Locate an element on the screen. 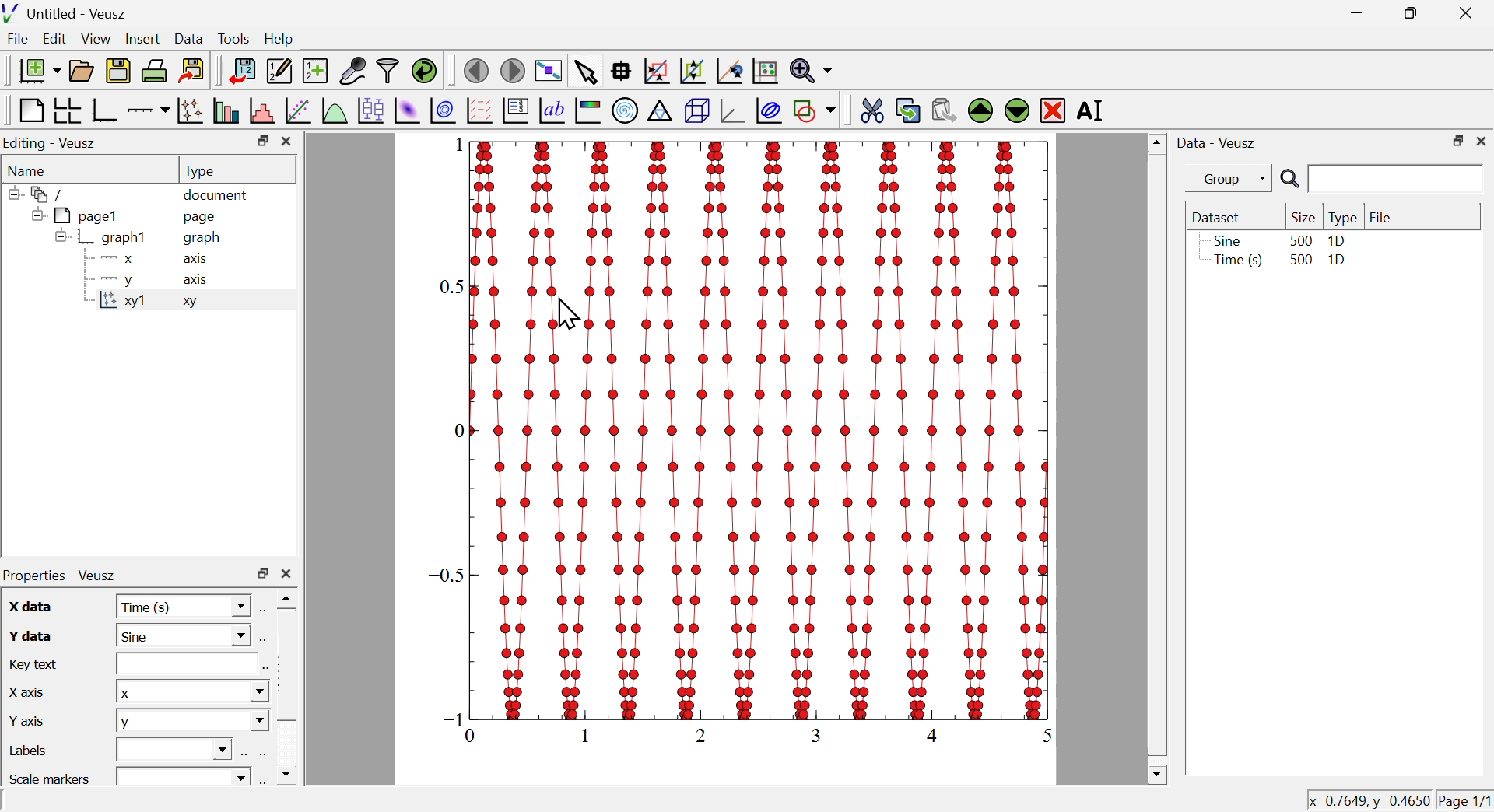  close is located at coordinates (286, 574).